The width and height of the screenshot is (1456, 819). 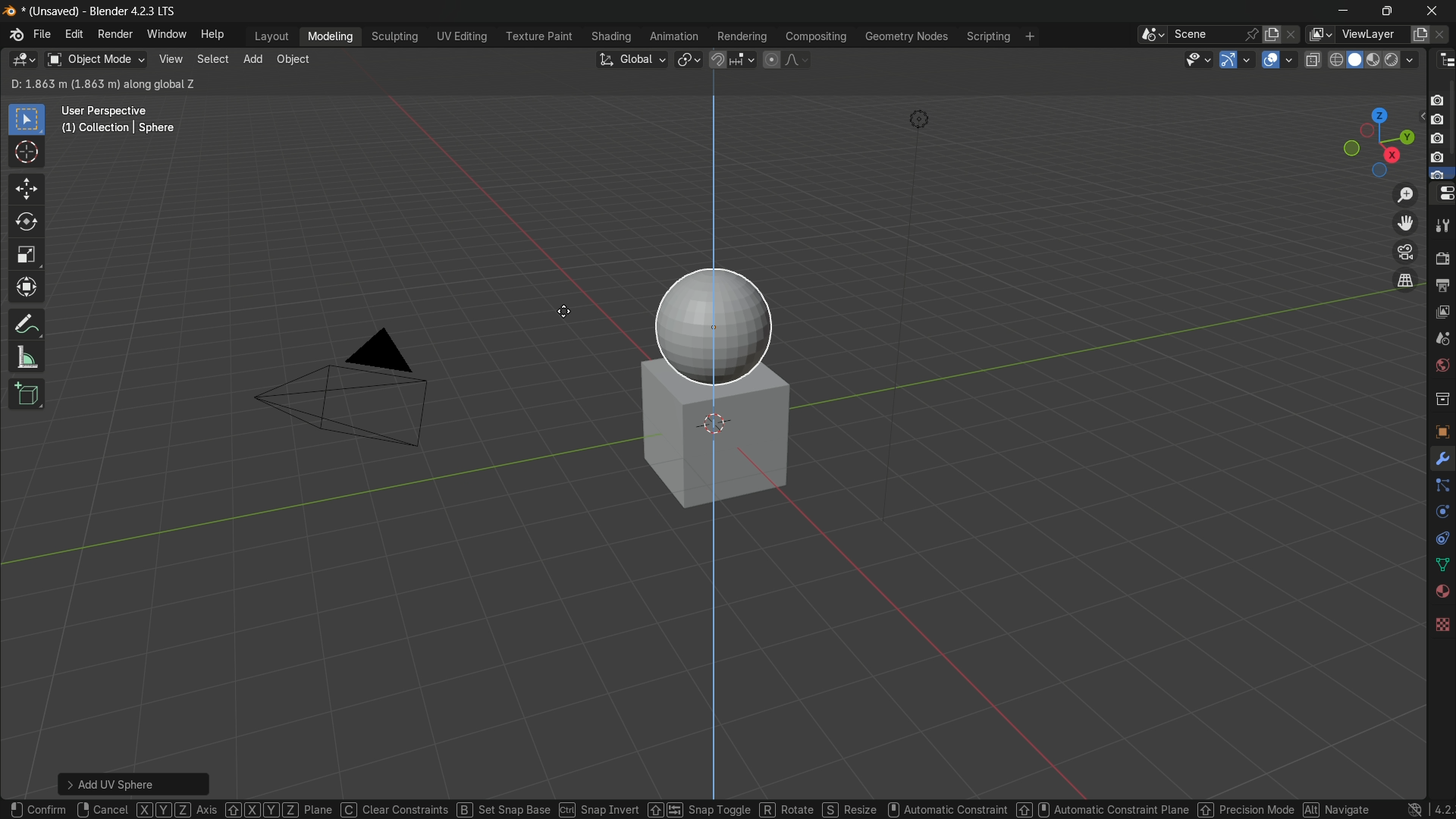 What do you see at coordinates (1442, 366) in the screenshot?
I see `world` at bounding box center [1442, 366].